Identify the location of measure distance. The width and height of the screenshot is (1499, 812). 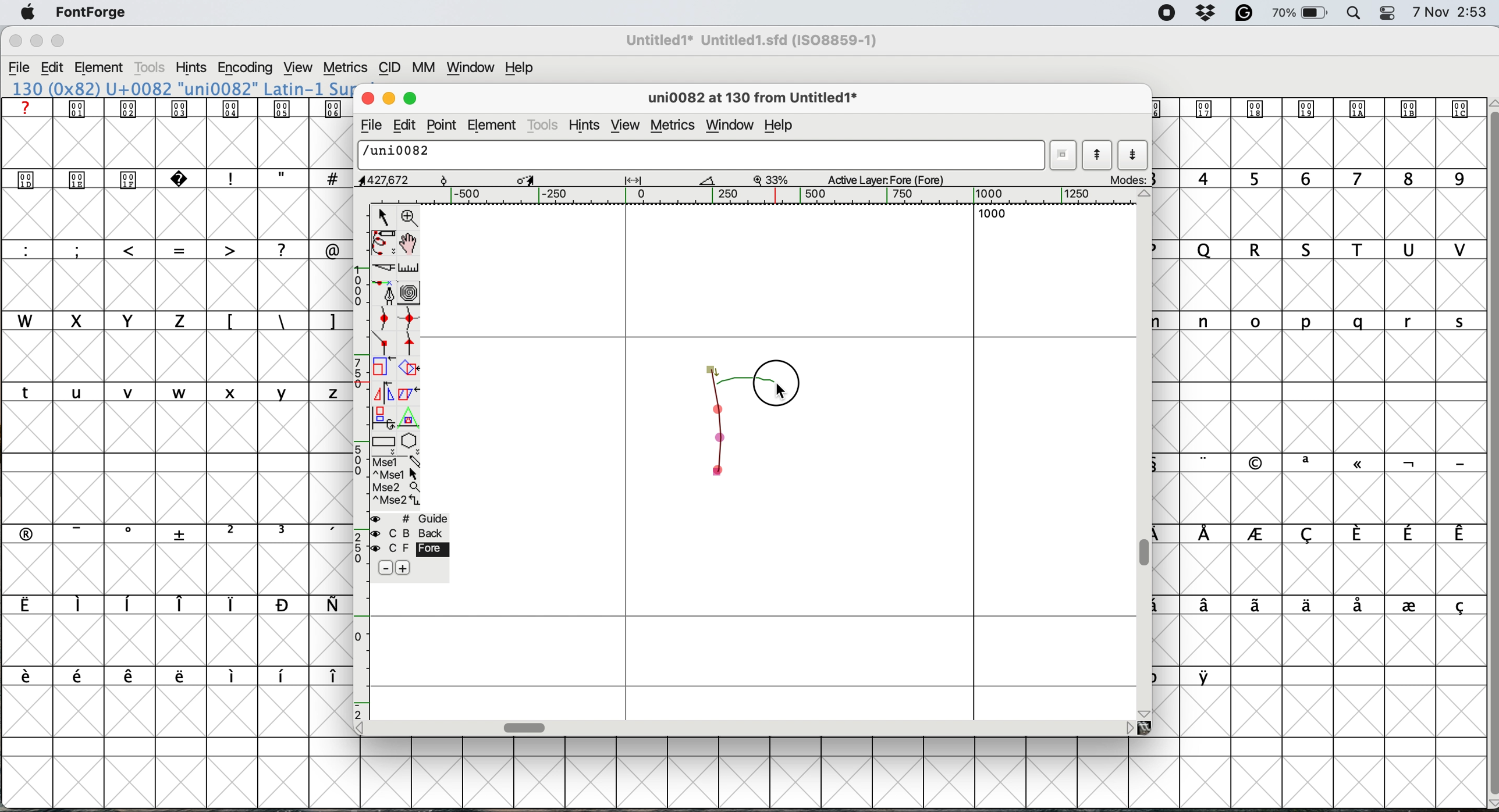
(409, 267).